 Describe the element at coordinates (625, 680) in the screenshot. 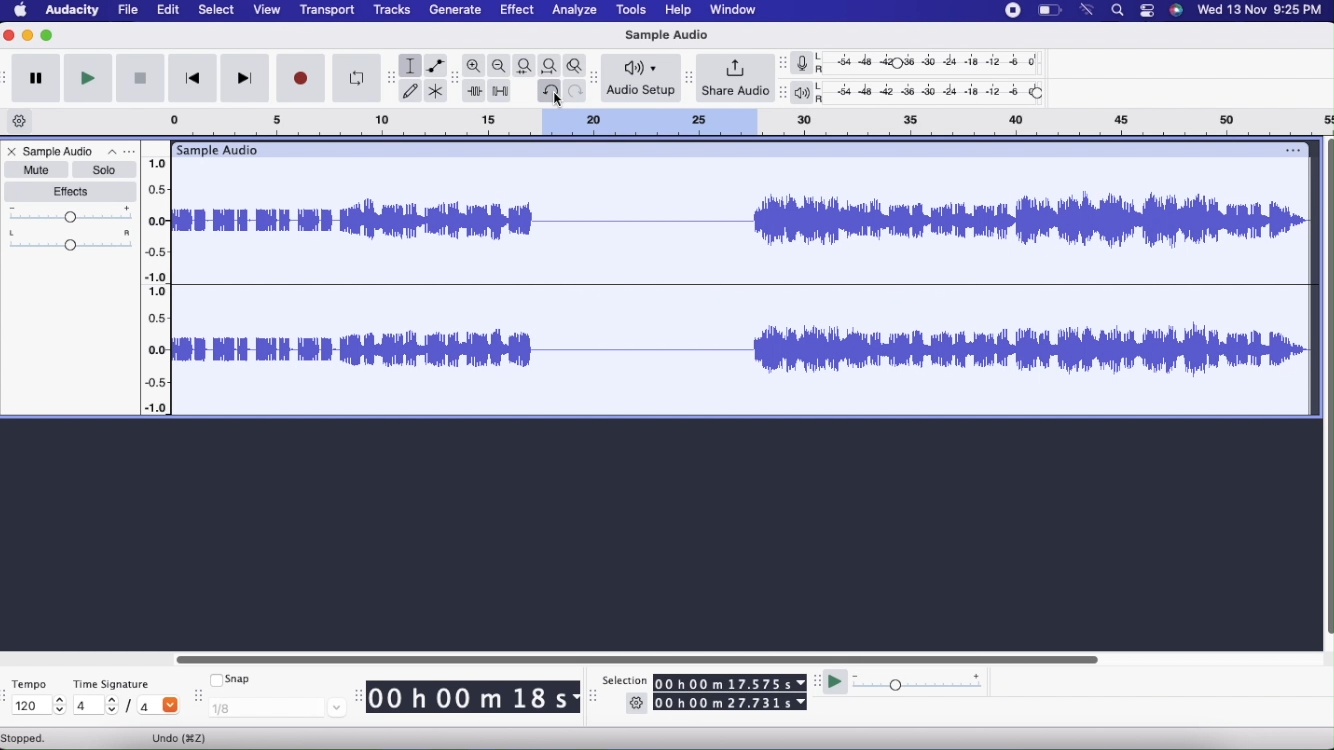

I see `Selection` at that location.